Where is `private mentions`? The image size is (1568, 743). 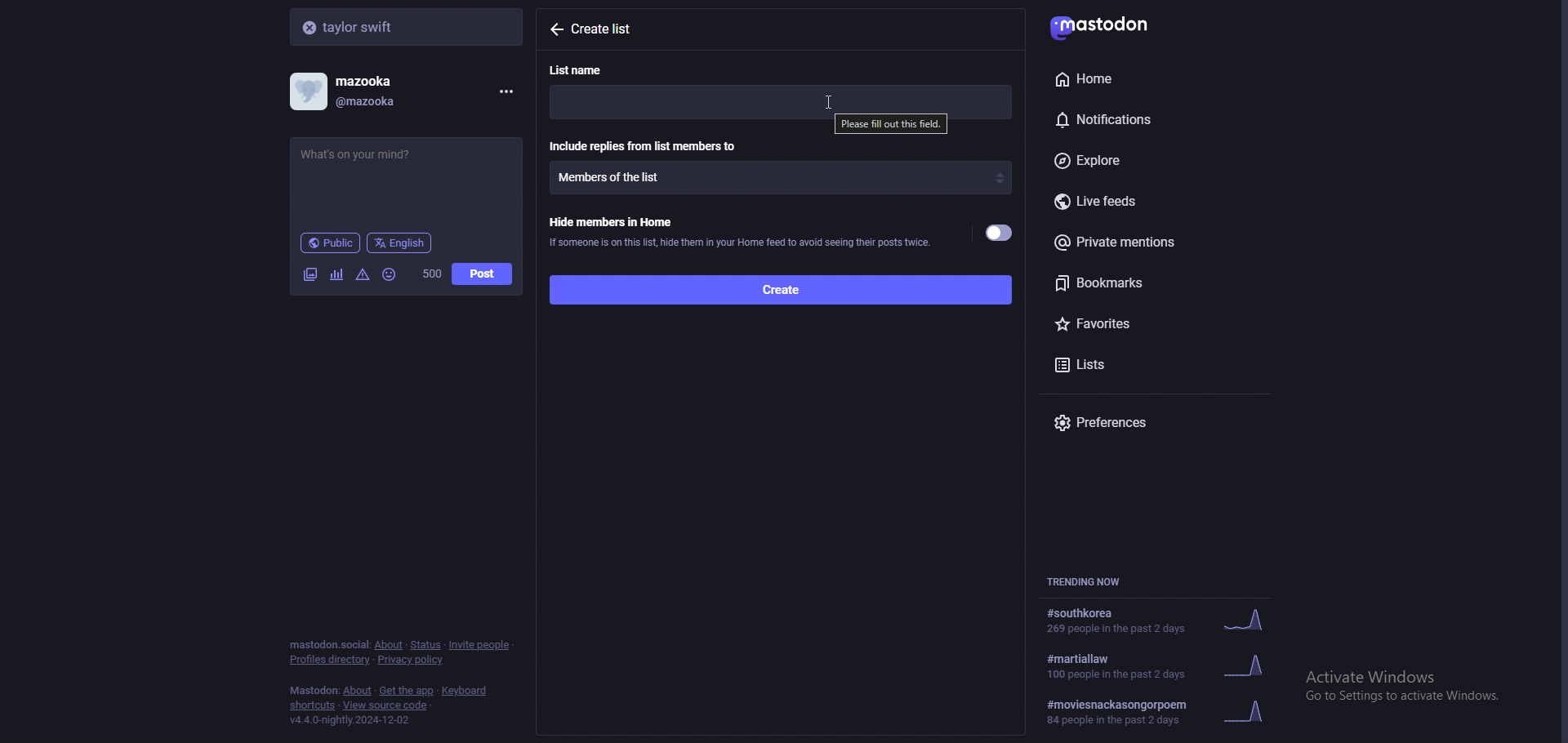 private mentions is located at coordinates (1153, 242).